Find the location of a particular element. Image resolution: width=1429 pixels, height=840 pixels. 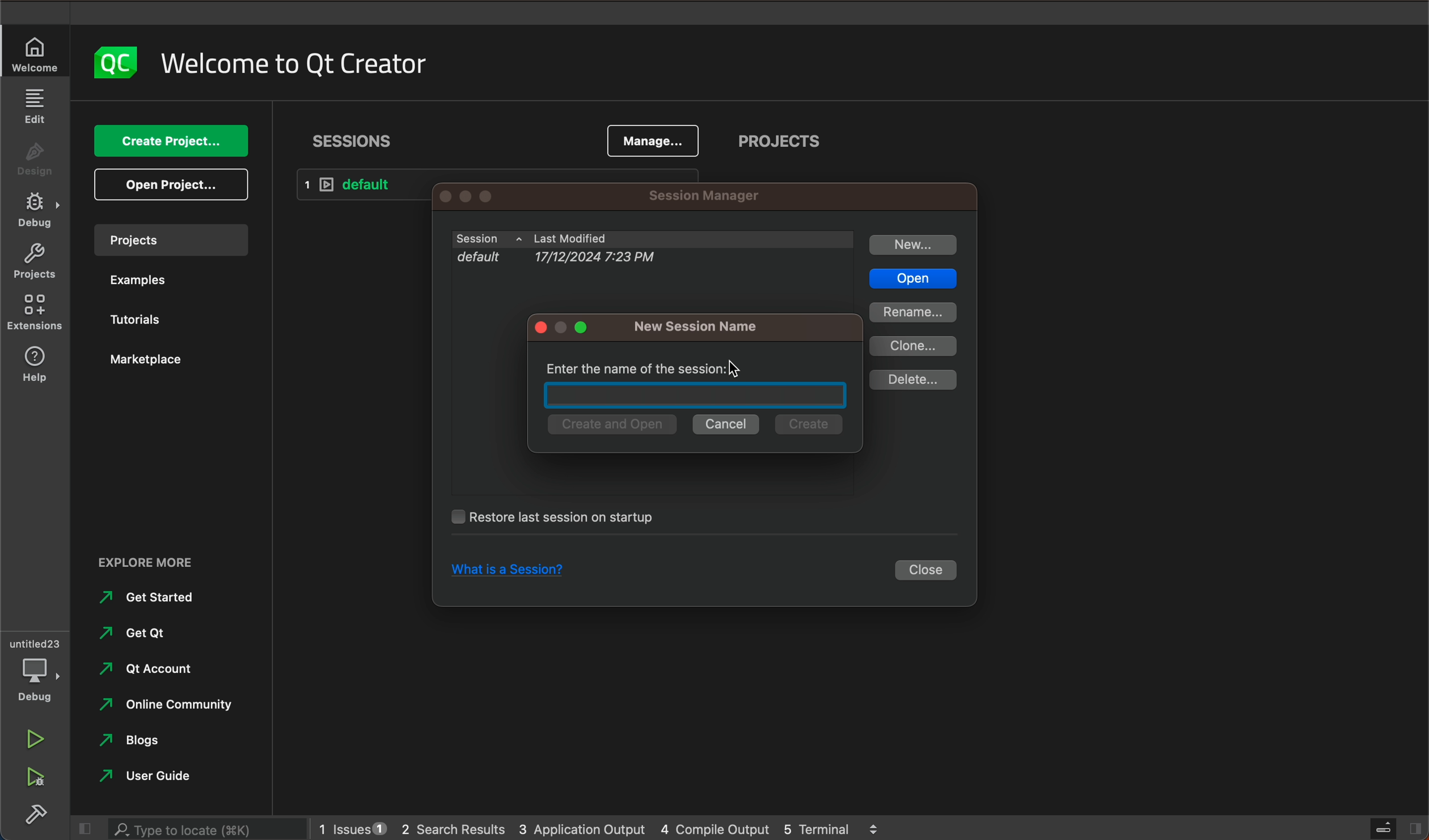

debug is located at coordinates (38, 211).